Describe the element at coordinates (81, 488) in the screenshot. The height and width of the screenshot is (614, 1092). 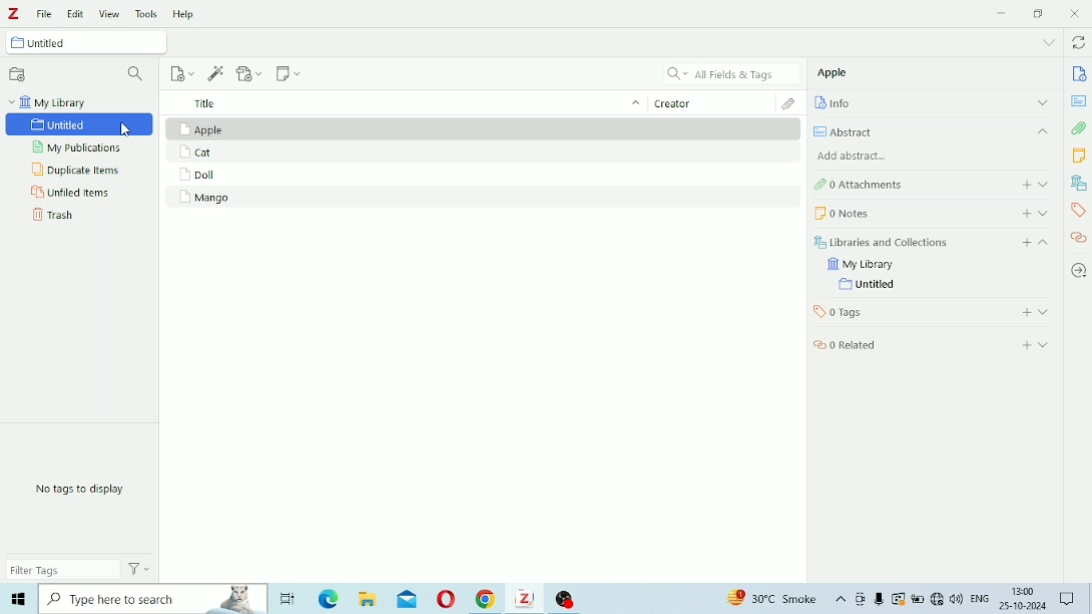
I see `No tags to display` at that location.